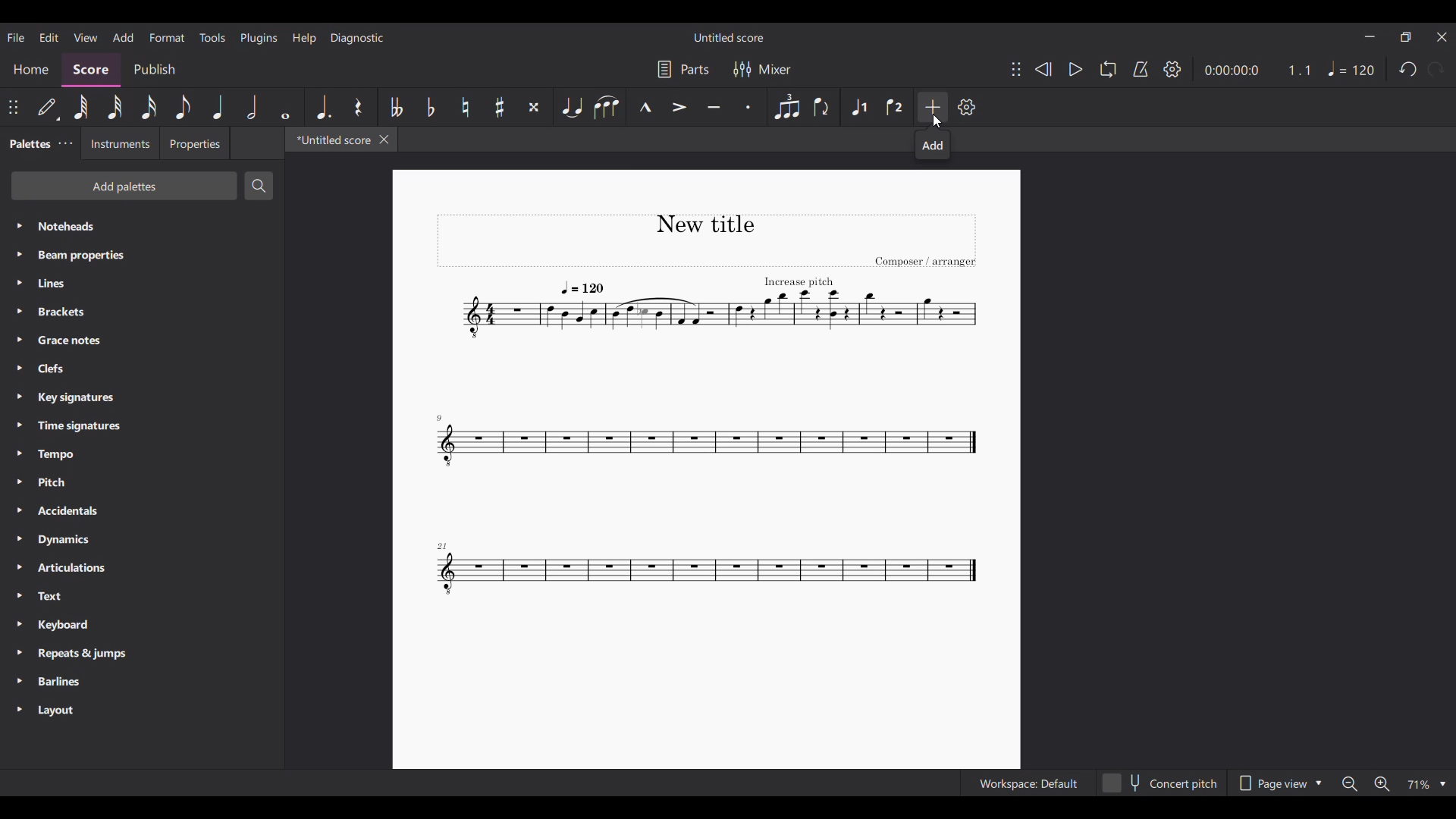 Image resolution: width=1456 pixels, height=819 pixels. I want to click on *Untitled score, current tab, so click(330, 139).